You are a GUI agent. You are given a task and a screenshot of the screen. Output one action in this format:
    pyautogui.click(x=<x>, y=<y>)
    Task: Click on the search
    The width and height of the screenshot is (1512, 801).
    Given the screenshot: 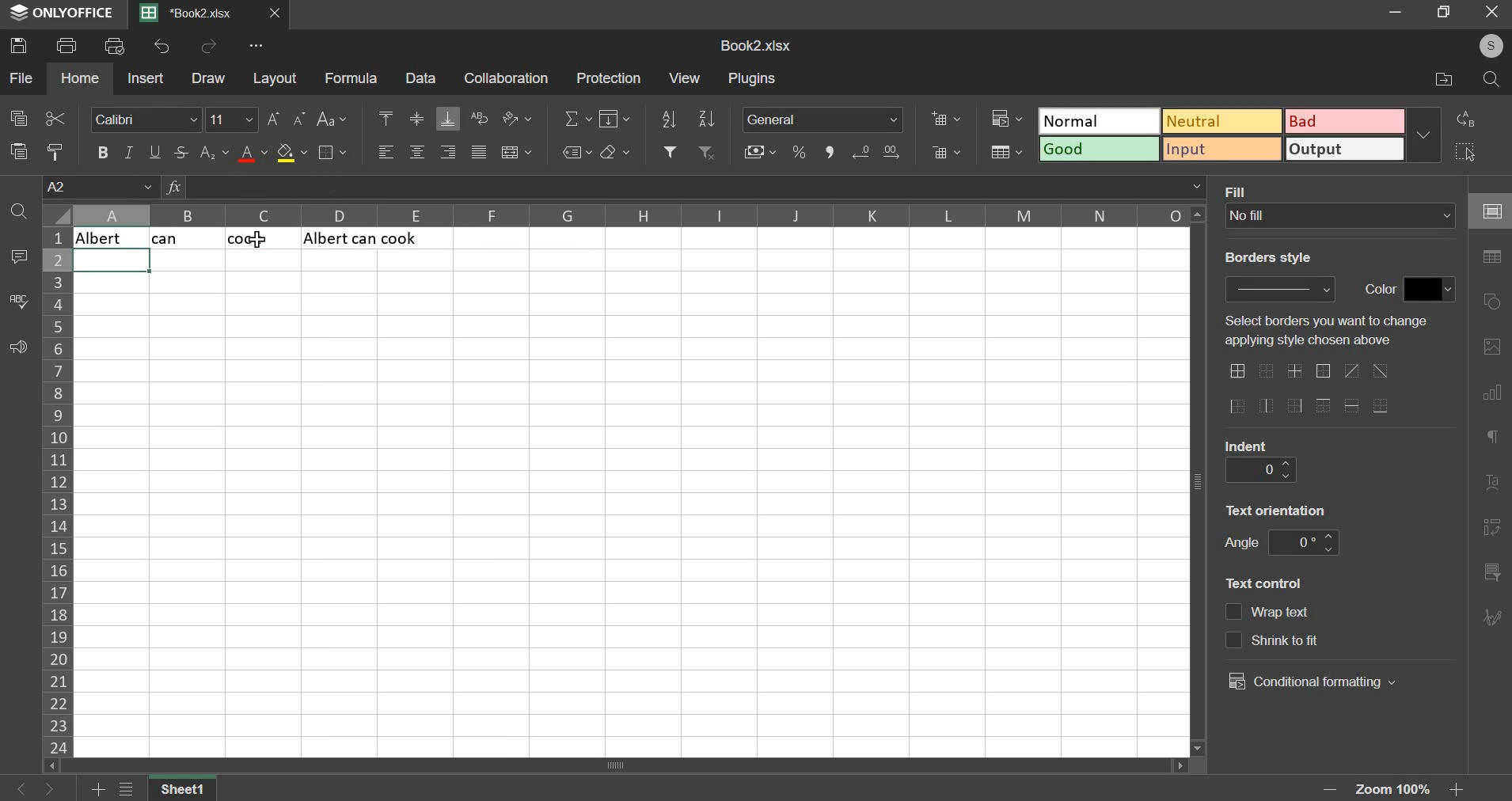 What is the action you would take?
    pyautogui.click(x=1494, y=79)
    